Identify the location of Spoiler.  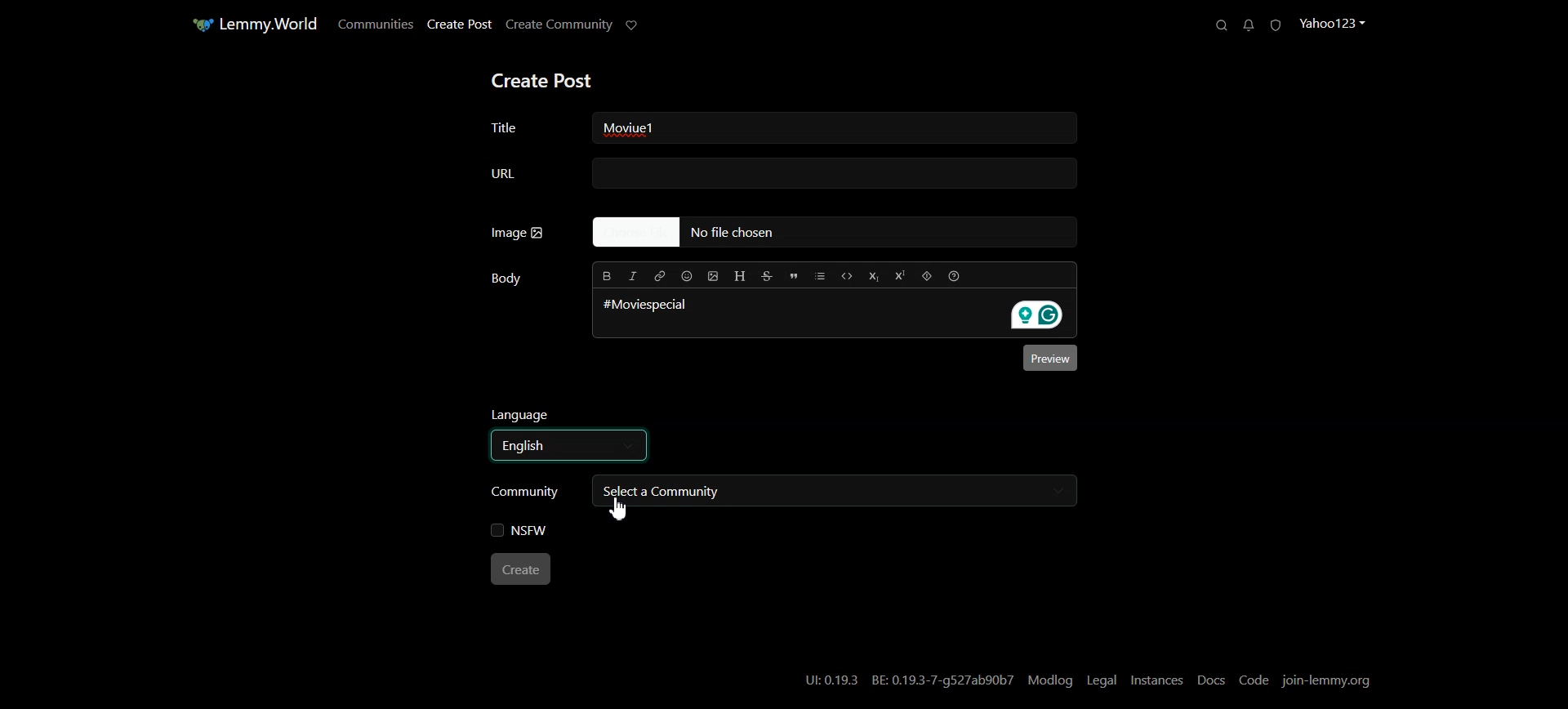
(927, 275).